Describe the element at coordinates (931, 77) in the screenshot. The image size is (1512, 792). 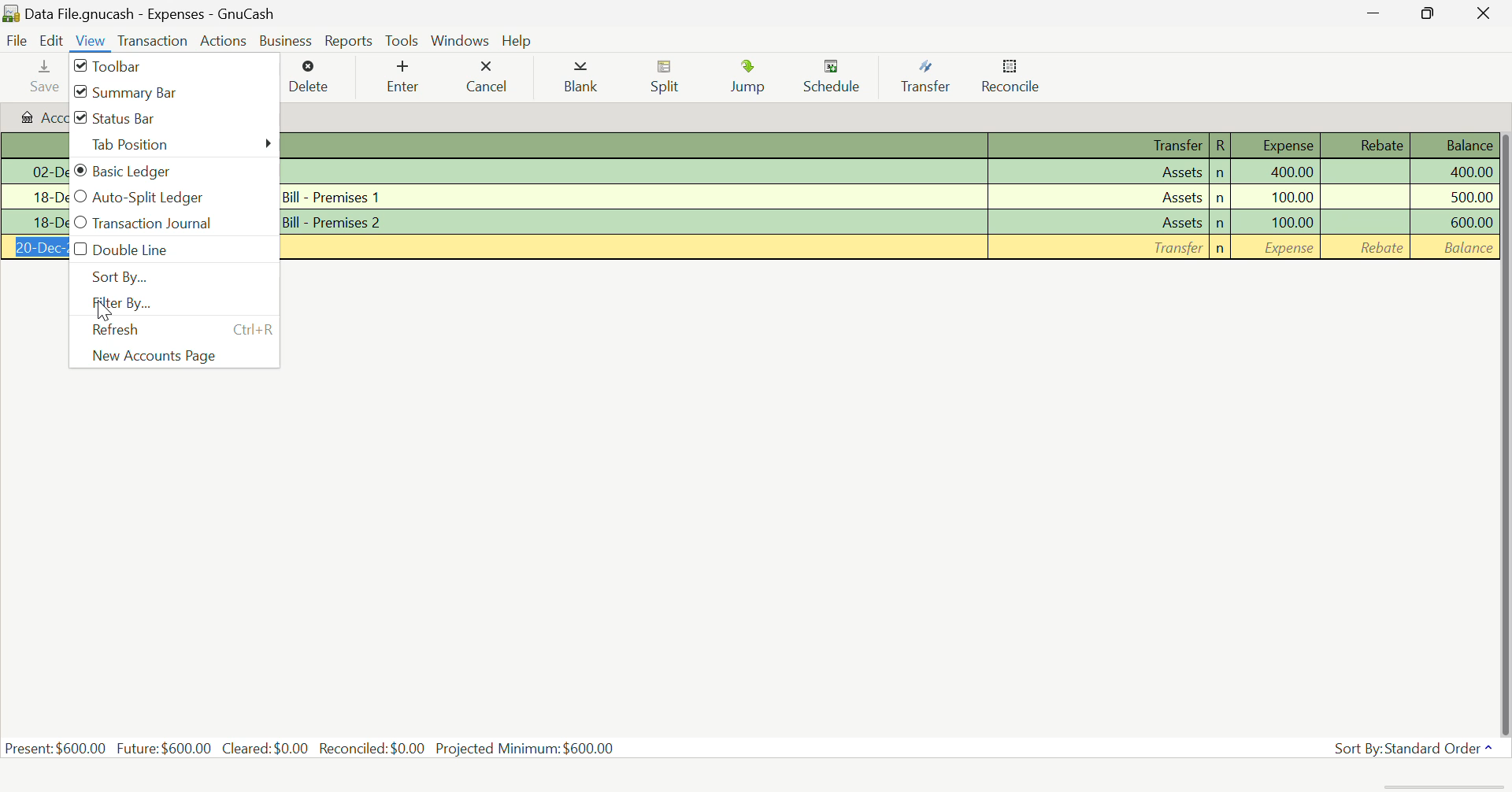
I see `Transfer` at that location.